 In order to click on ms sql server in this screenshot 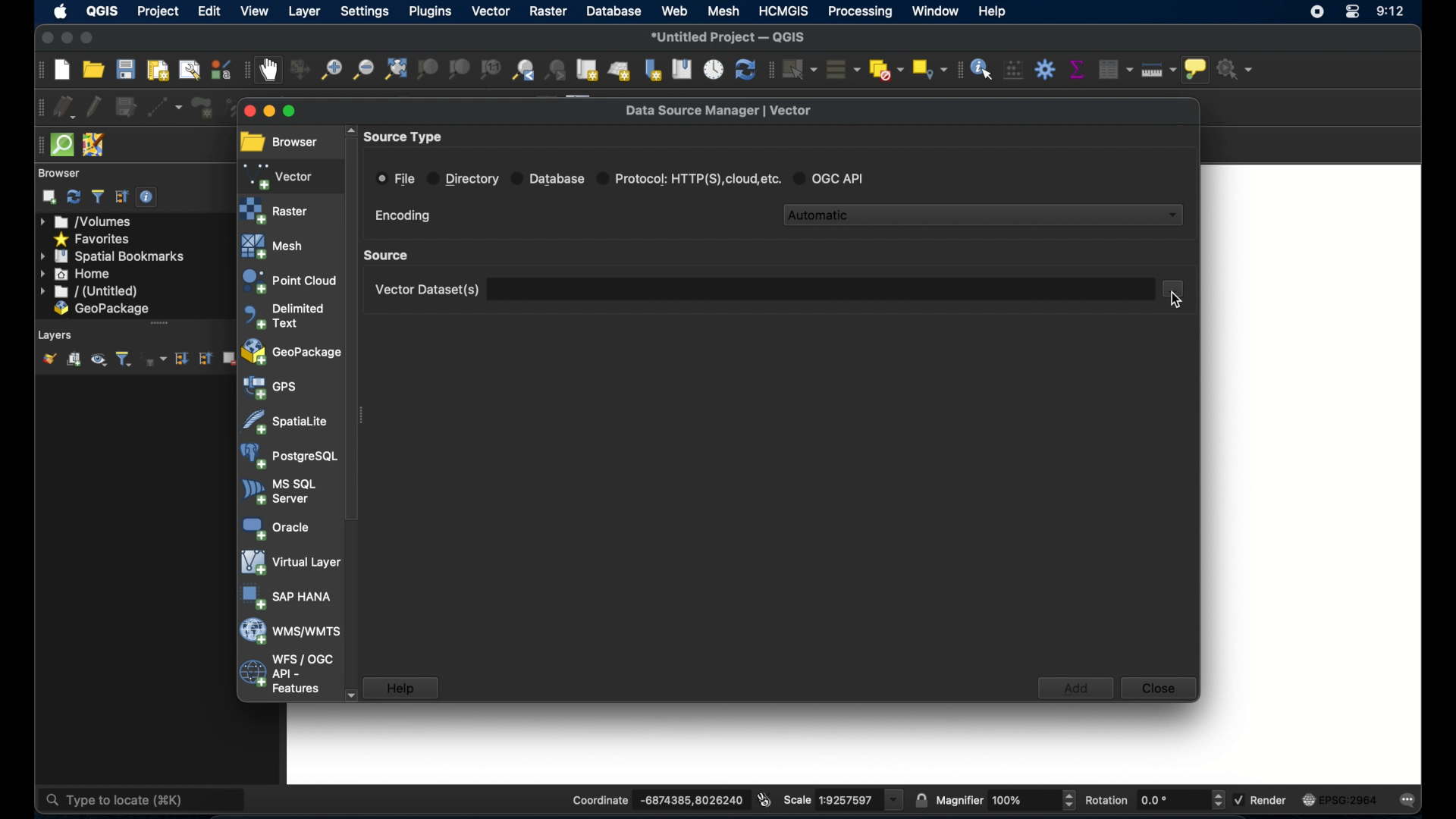, I will do `click(279, 491)`.